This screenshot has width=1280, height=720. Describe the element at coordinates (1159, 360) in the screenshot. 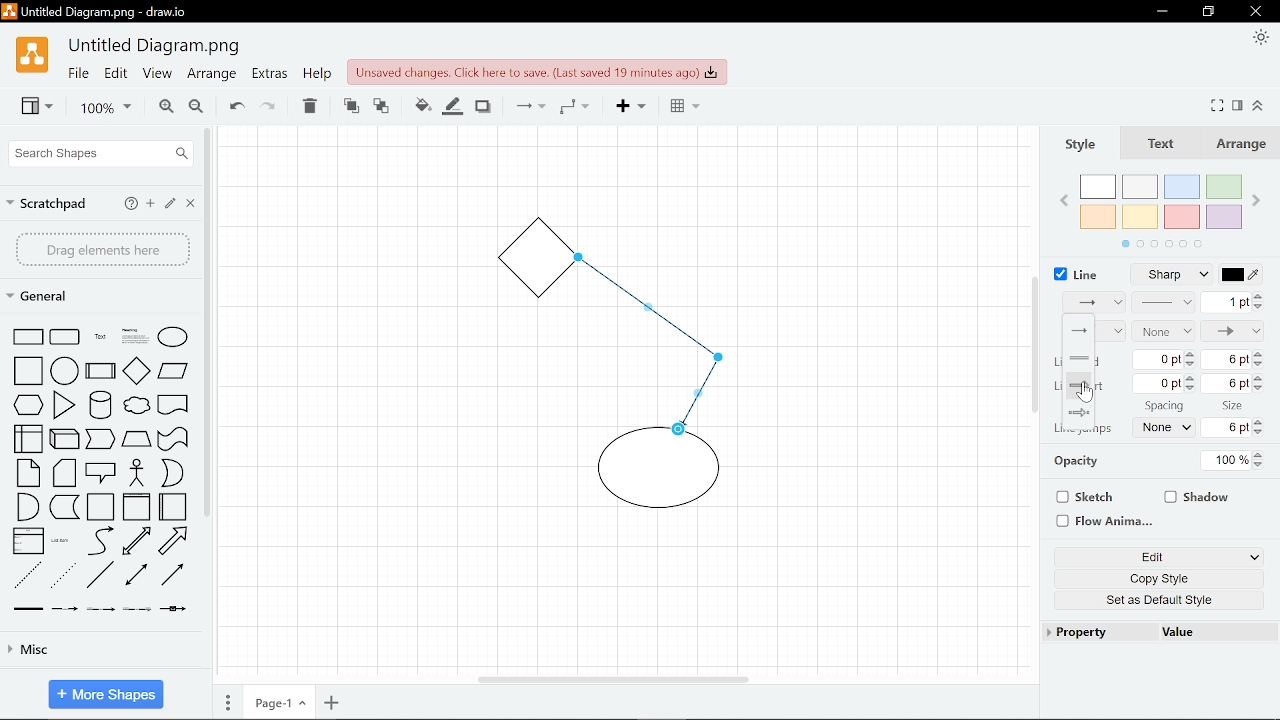

I see `Line end spacing` at that location.